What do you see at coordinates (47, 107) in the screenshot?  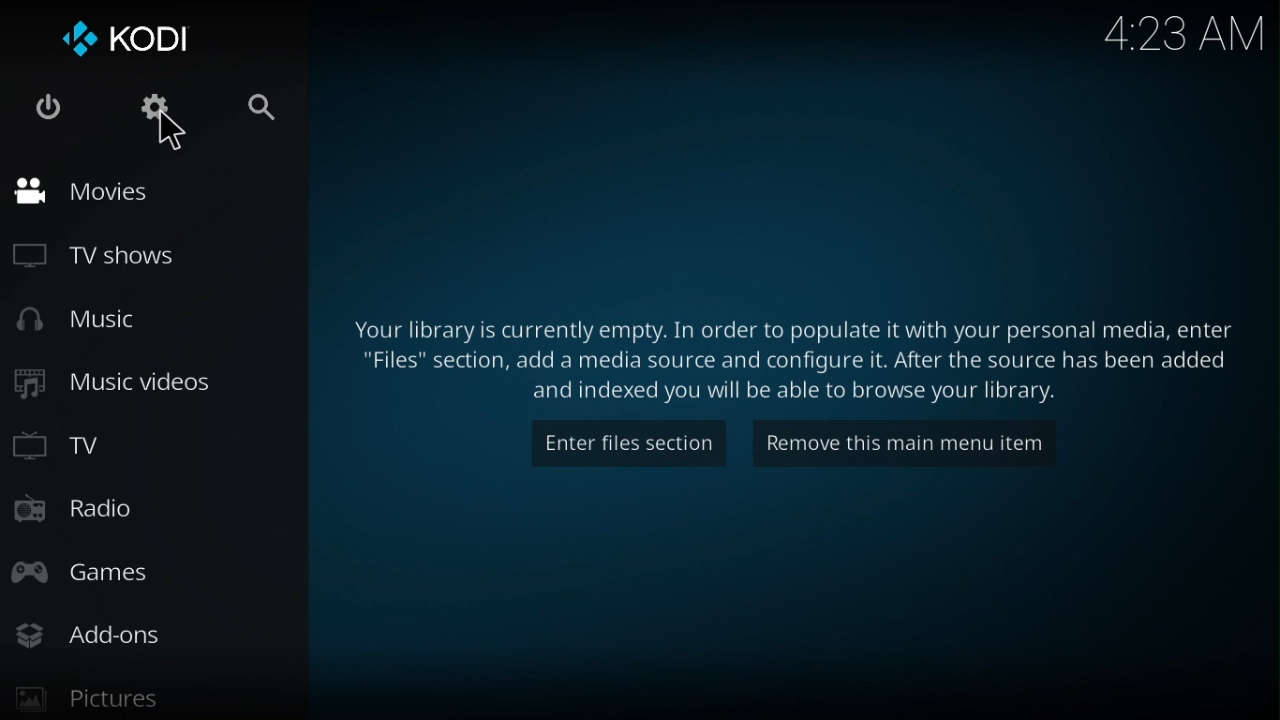 I see `Power` at bounding box center [47, 107].